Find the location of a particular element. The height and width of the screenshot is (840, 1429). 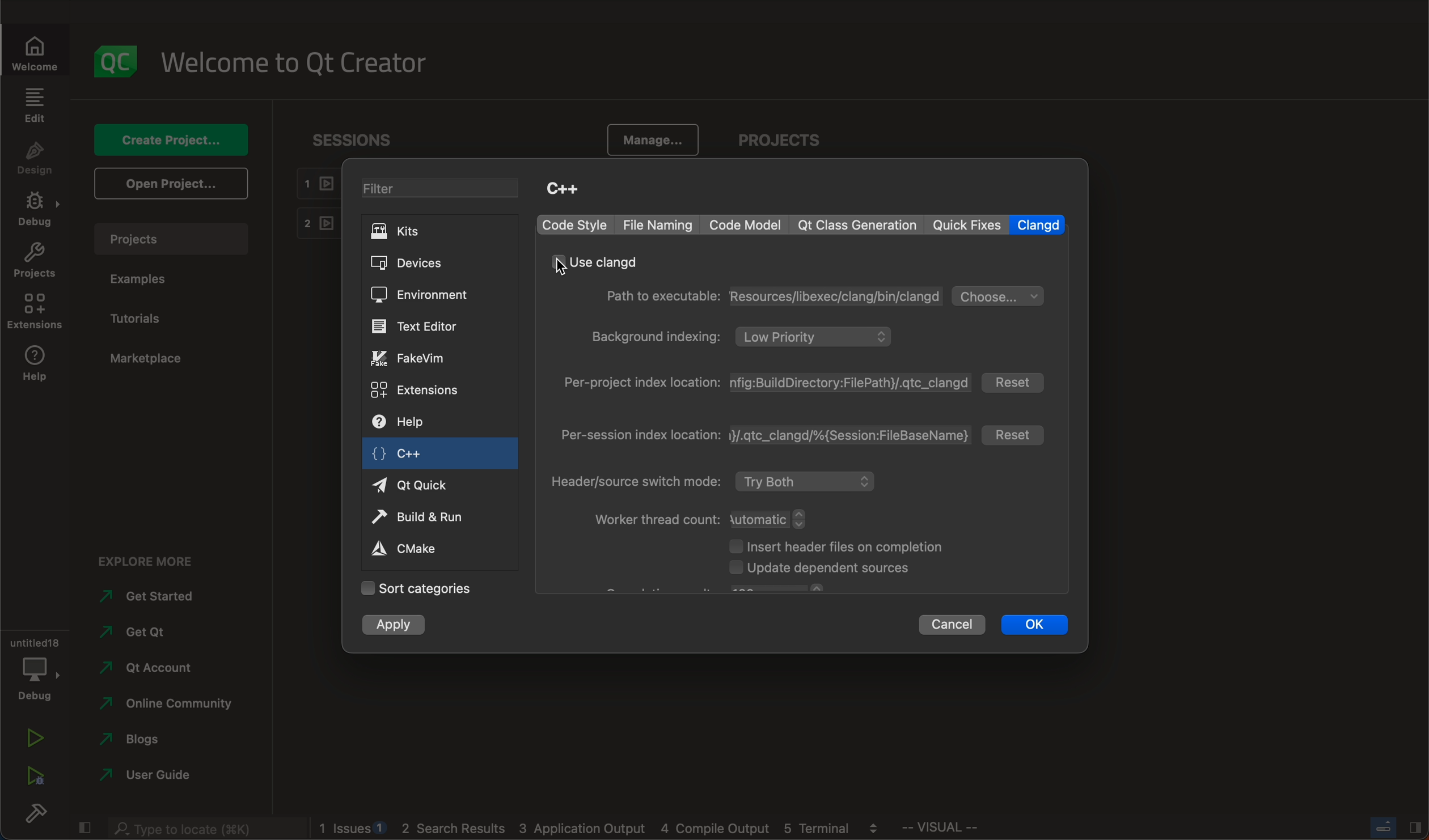

build and run is located at coordinates (427, 515).